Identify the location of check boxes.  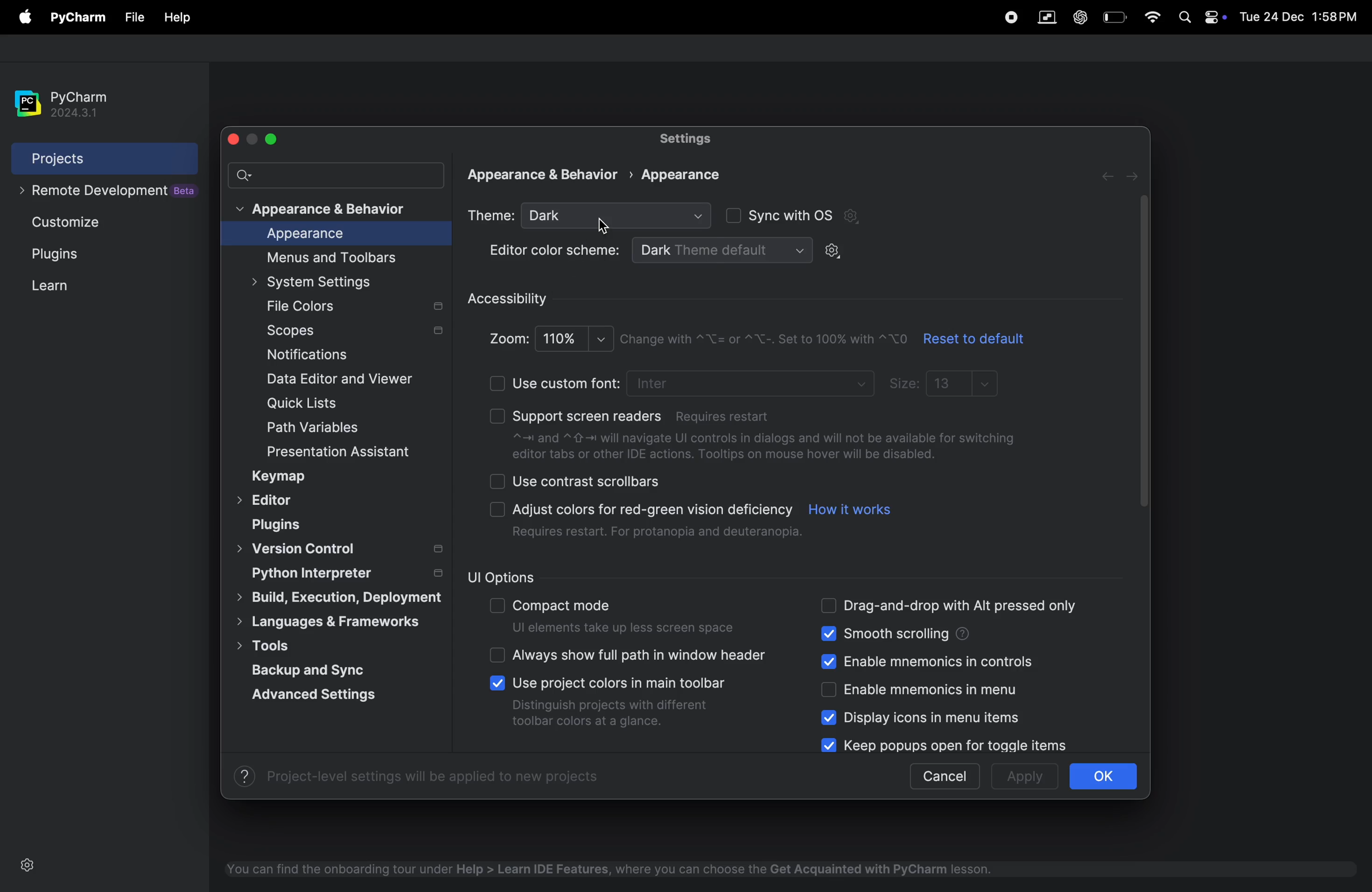
(499, 685).